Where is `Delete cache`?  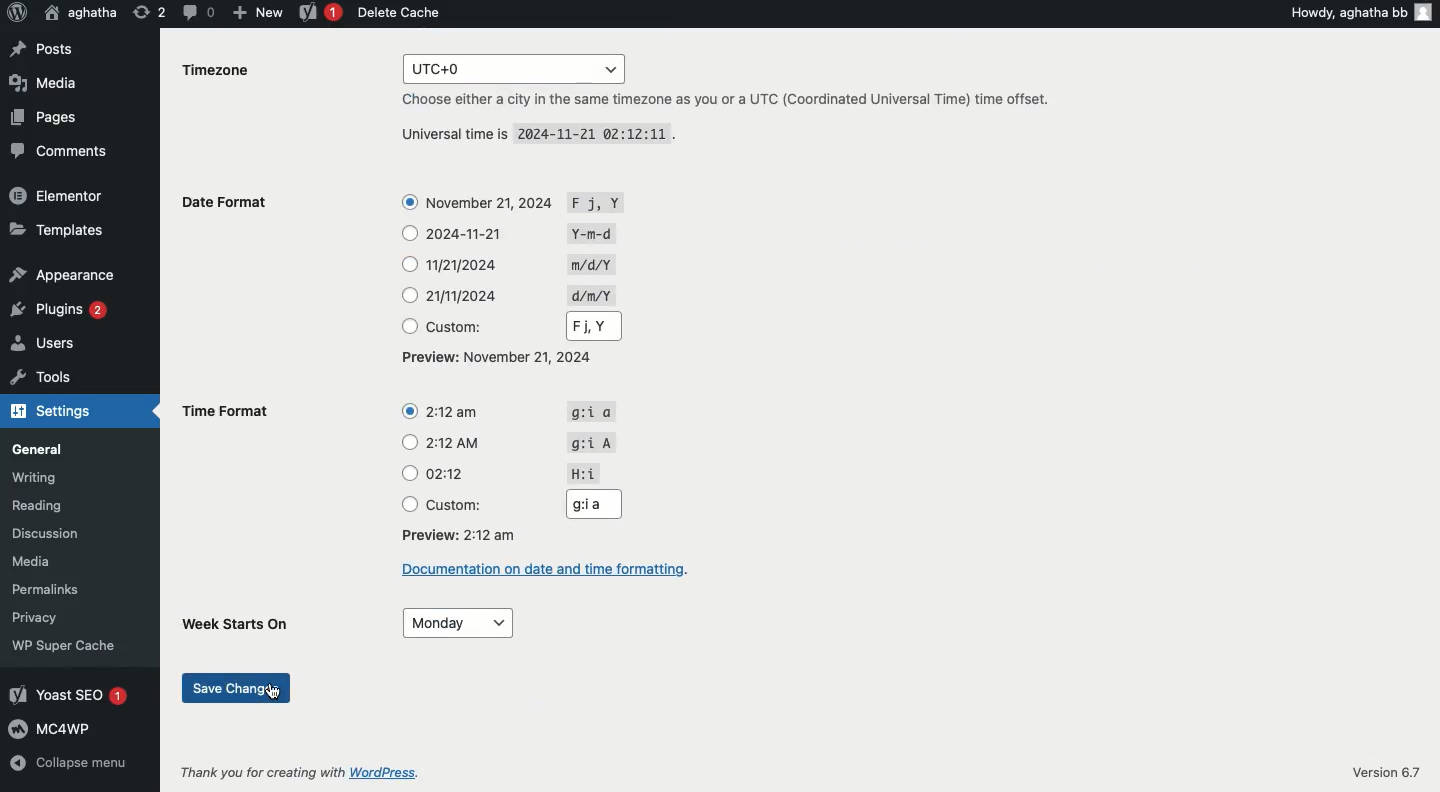
Delete cache is located at coordinates (396, 12).